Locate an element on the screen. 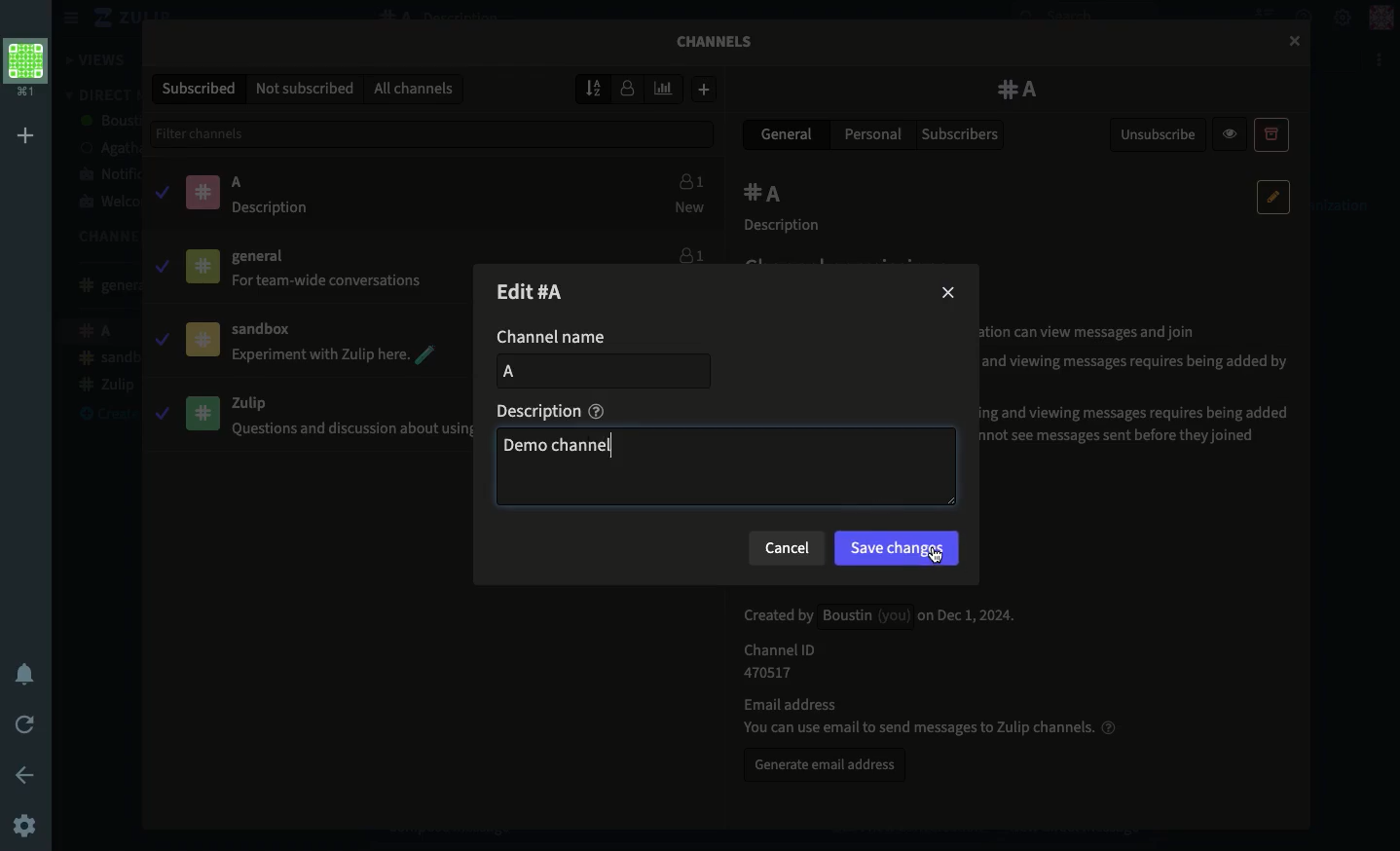 The width and height of the screenshot is (1400, 851). Preview is located at coordinates (1233, 133).